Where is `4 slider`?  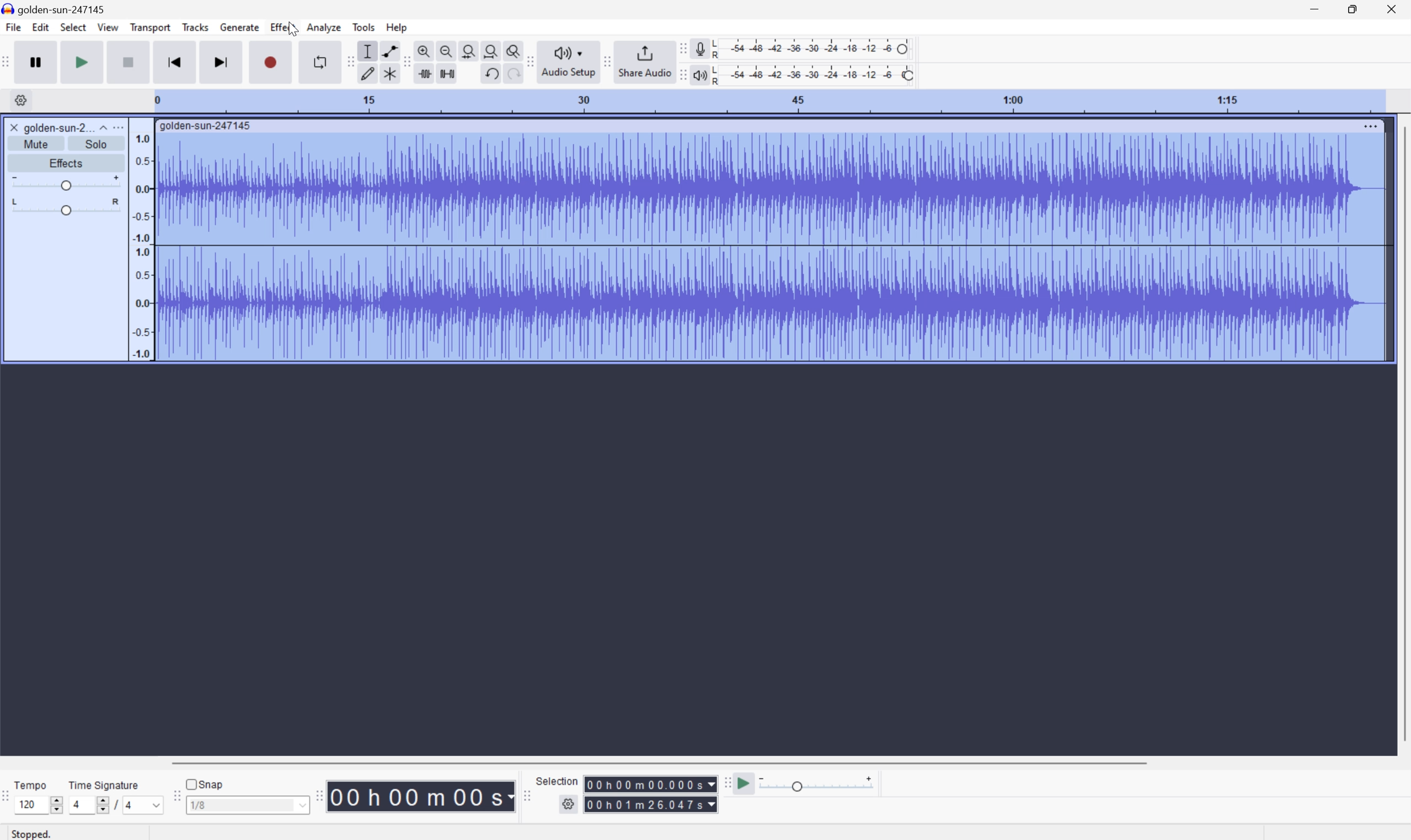 4 slider is located at coordinates (87, 804).